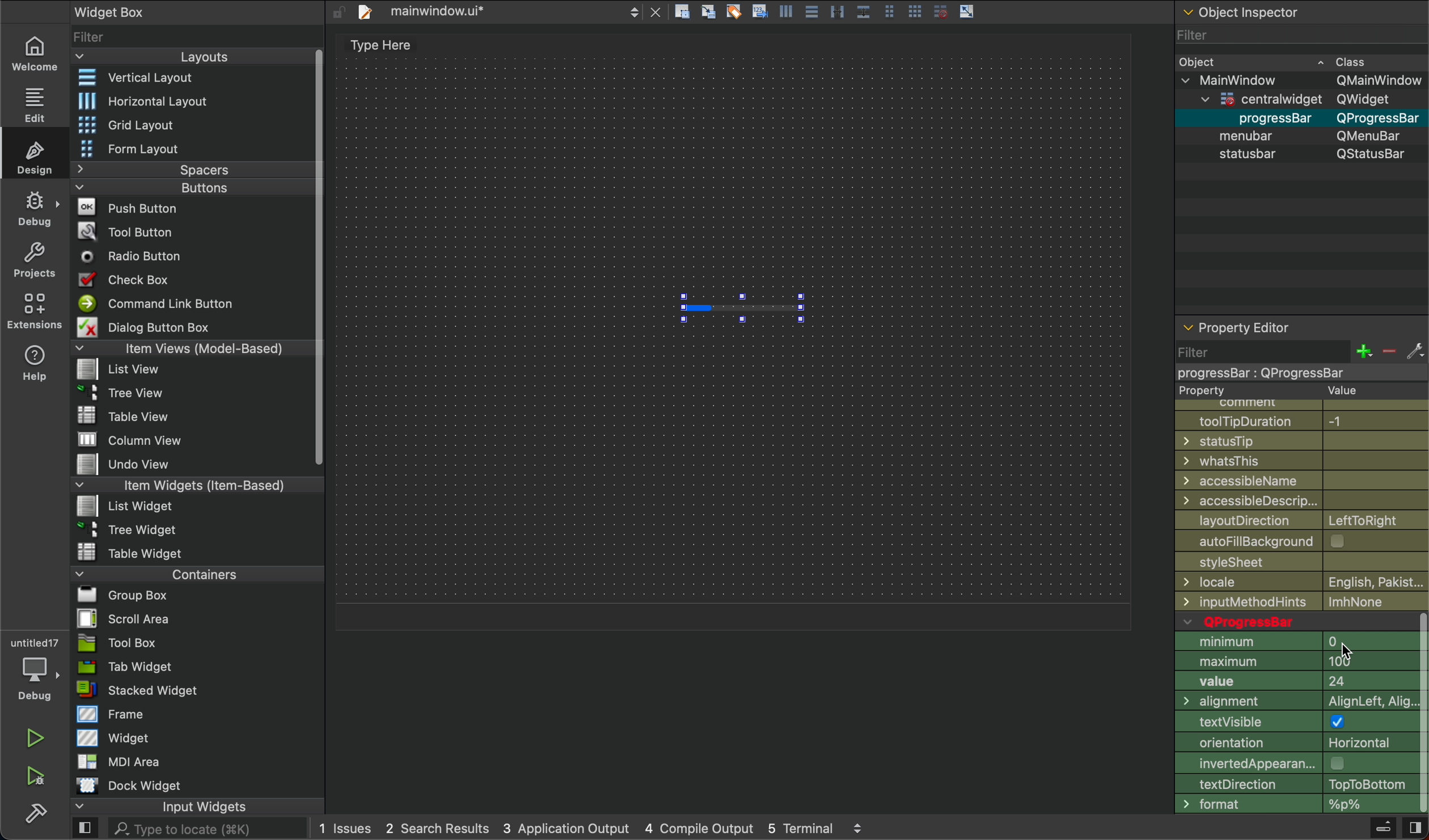  I want to click on Spacer, so click(177, 169).